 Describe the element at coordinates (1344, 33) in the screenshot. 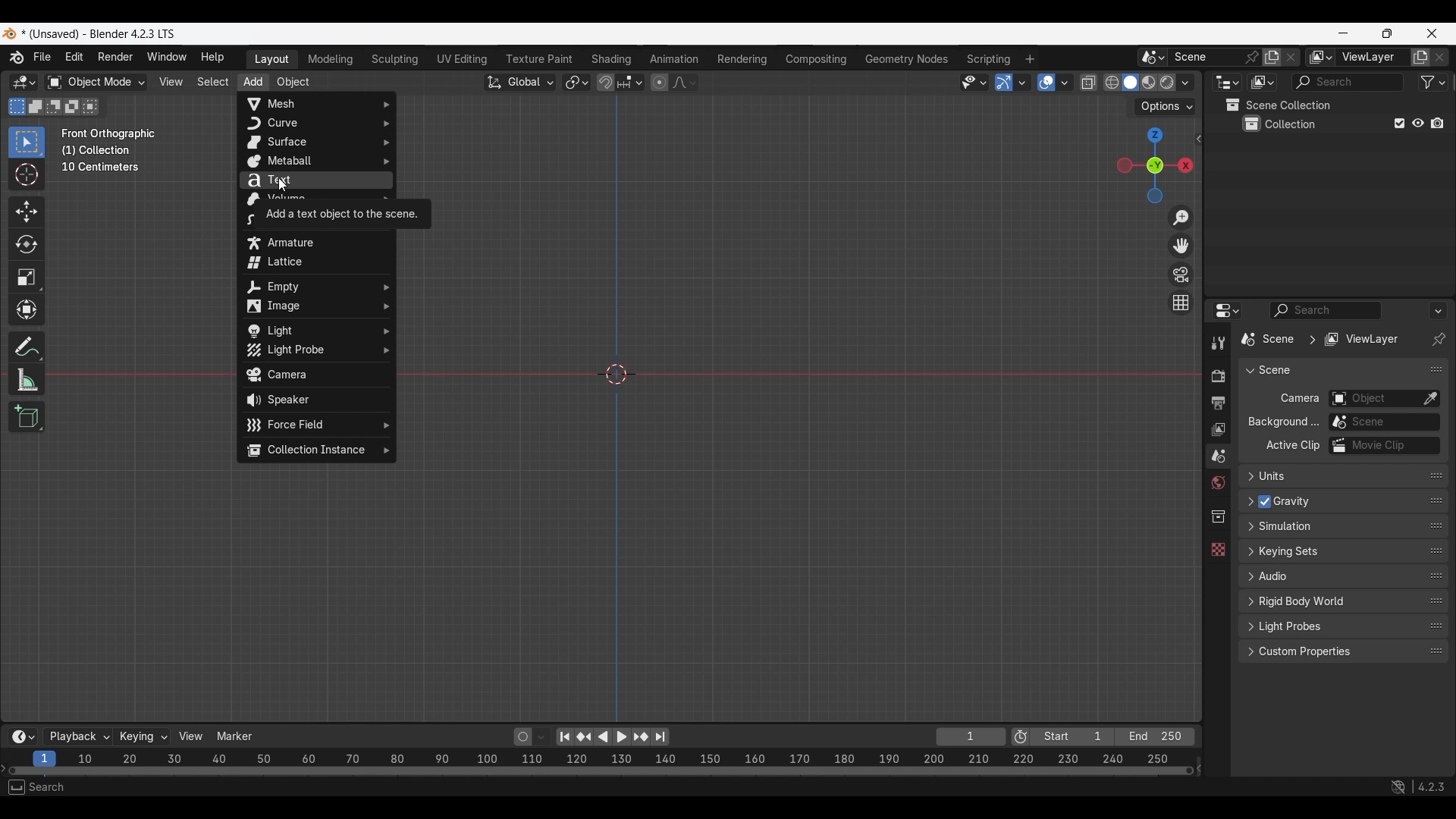

I see `Minimize` at that location.